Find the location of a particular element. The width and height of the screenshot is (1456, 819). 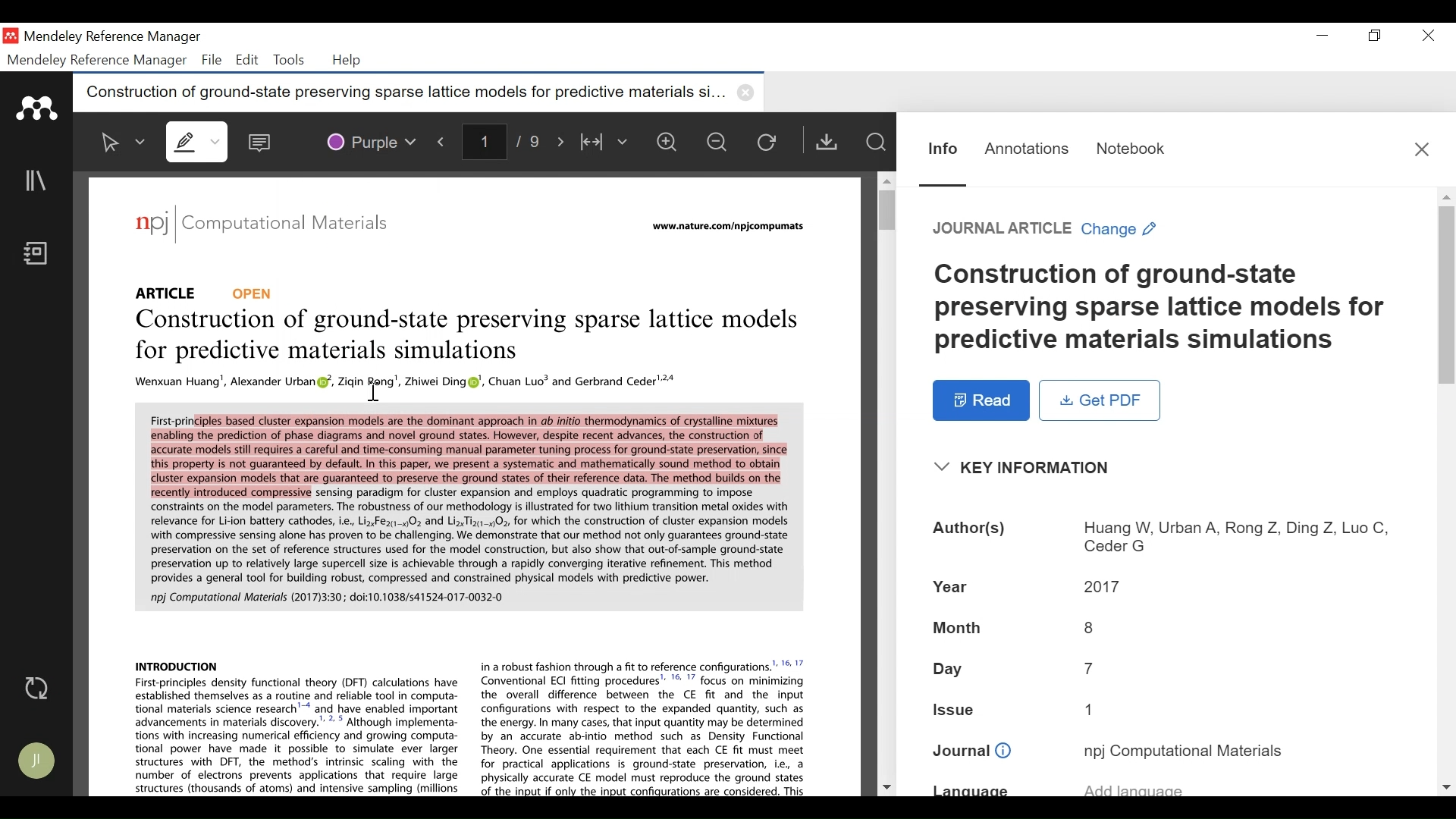

Zoom out is located at coordinates (716, 141).